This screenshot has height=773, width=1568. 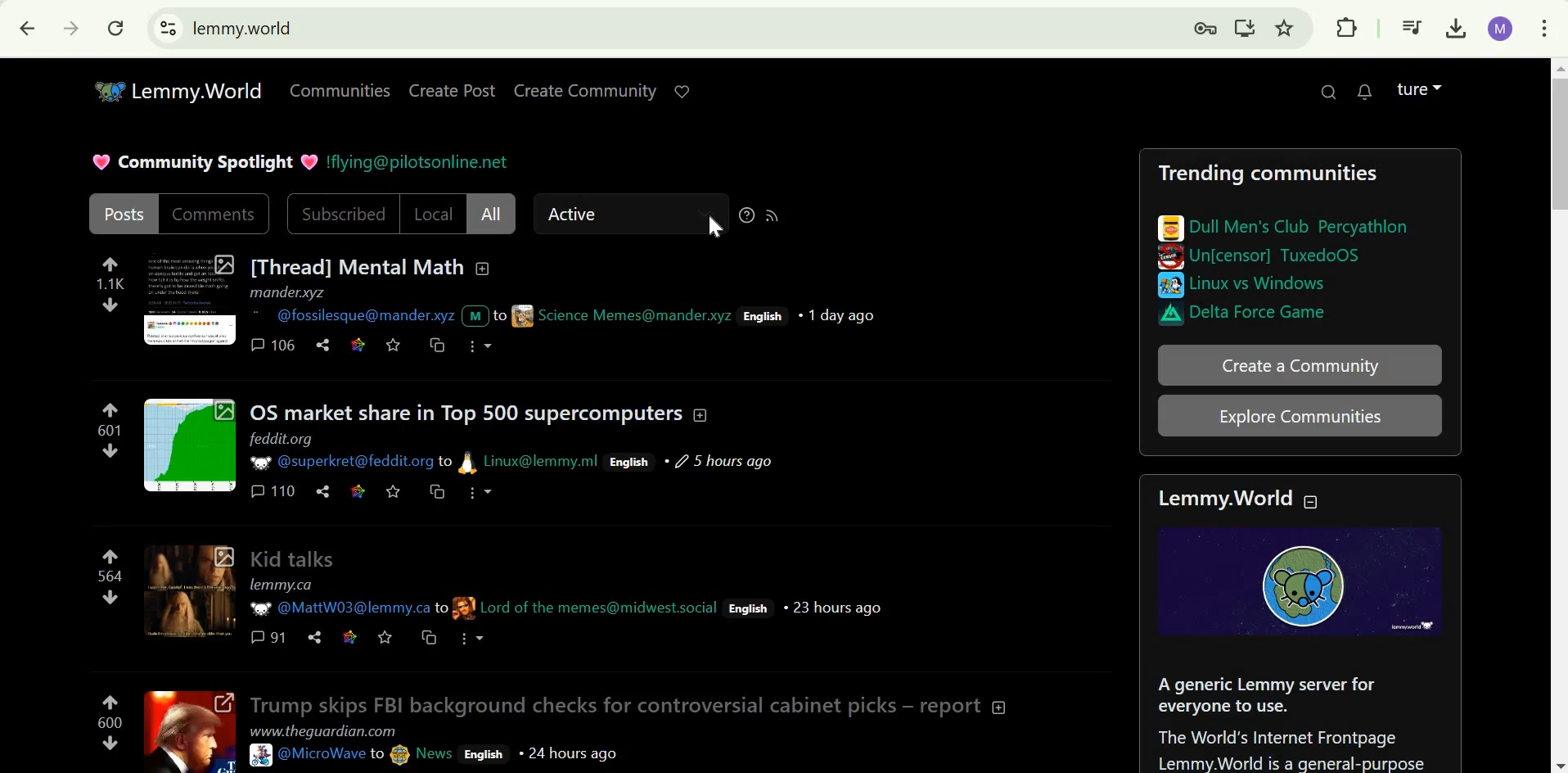 I want to click on 600 points, so click(x=108, y=721).